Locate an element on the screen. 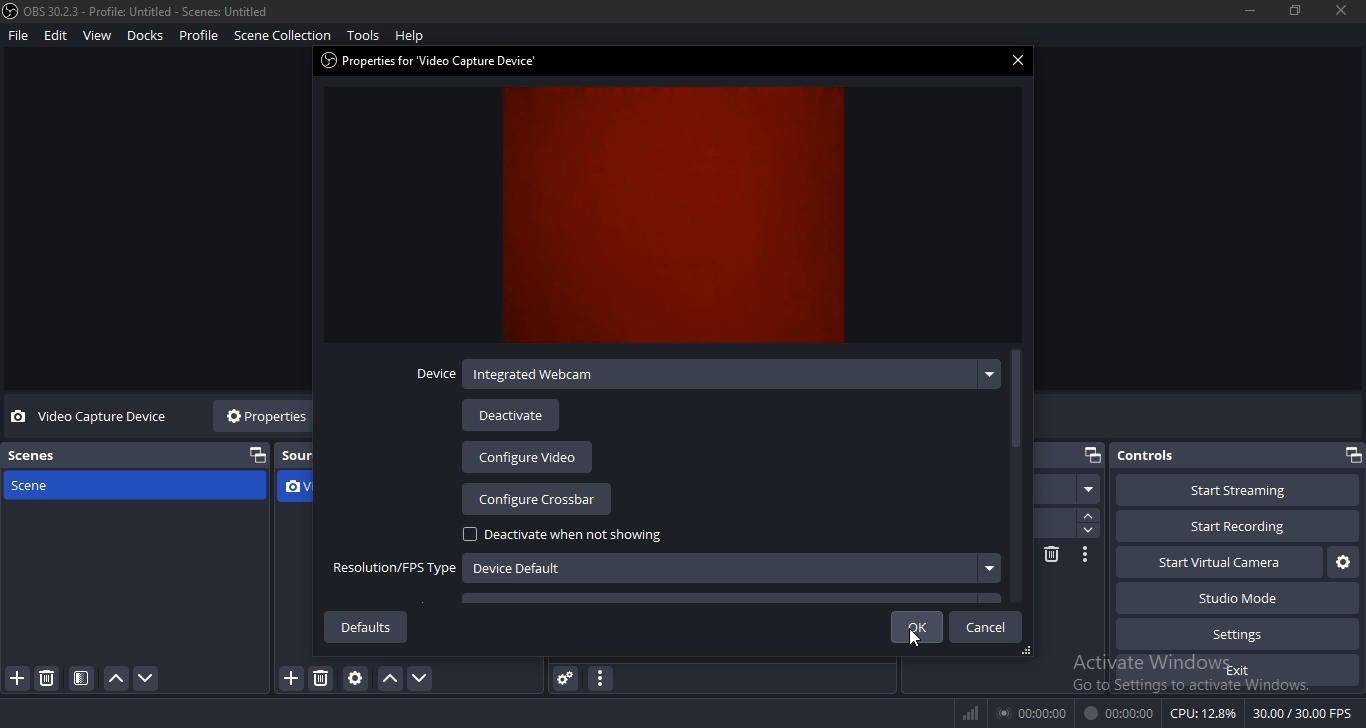  defaults is located at coordinates (364, 626).